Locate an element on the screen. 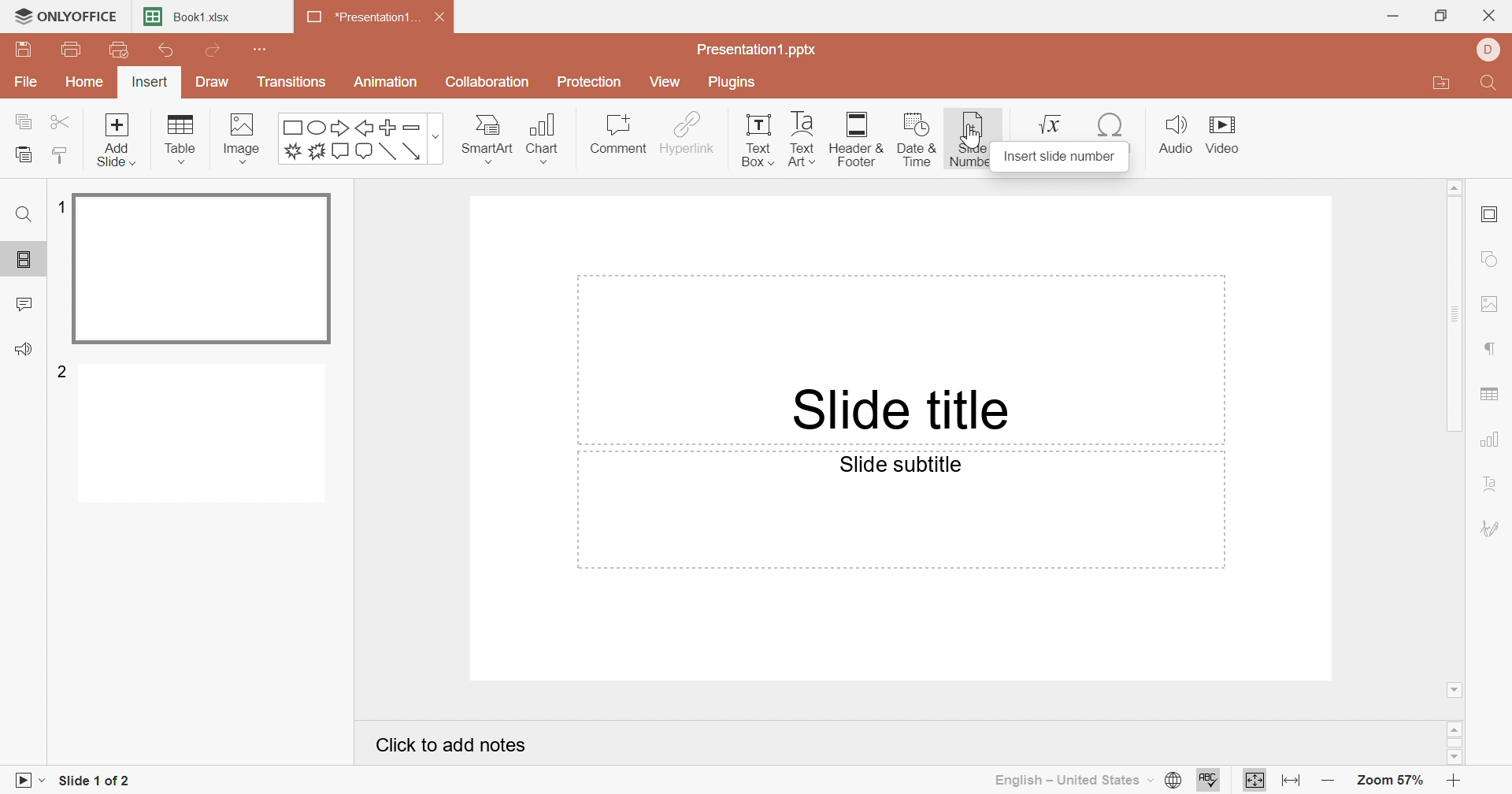 This screenshot has width=1512, height=794. Check spelling is located at coordinates (1208, 782).